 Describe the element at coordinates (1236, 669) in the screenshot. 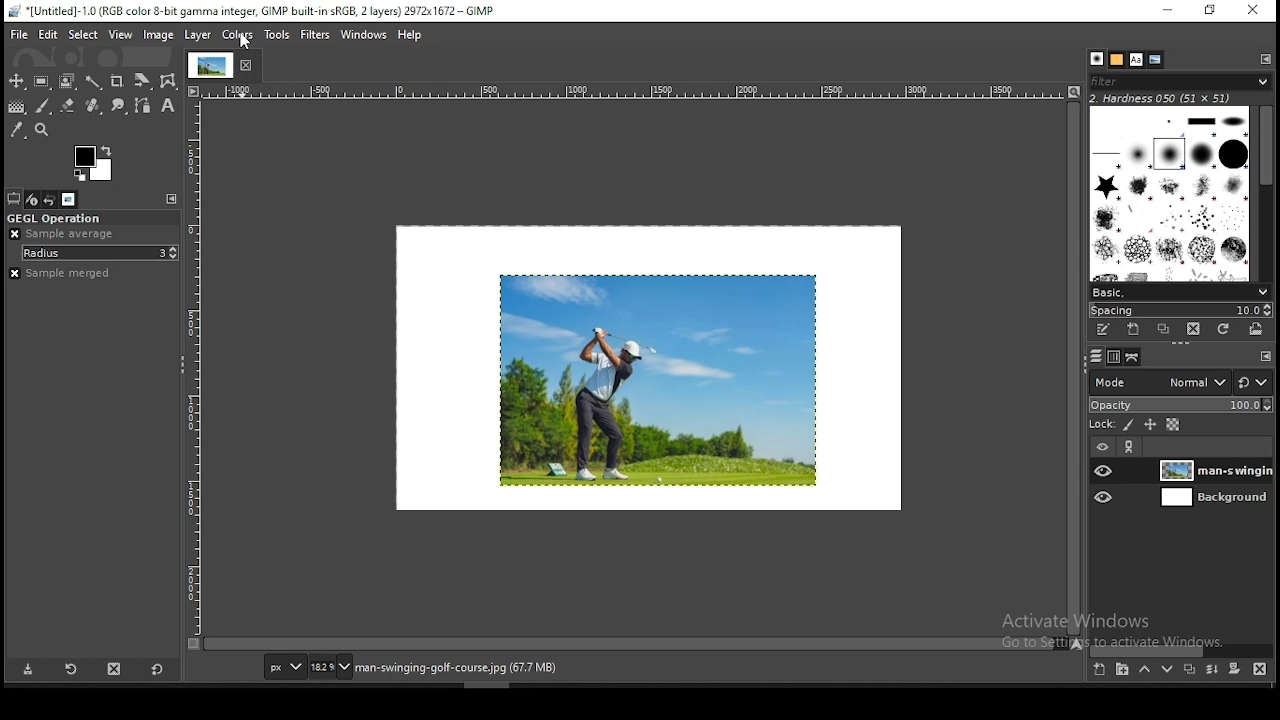

I see `add a mask` at that location.